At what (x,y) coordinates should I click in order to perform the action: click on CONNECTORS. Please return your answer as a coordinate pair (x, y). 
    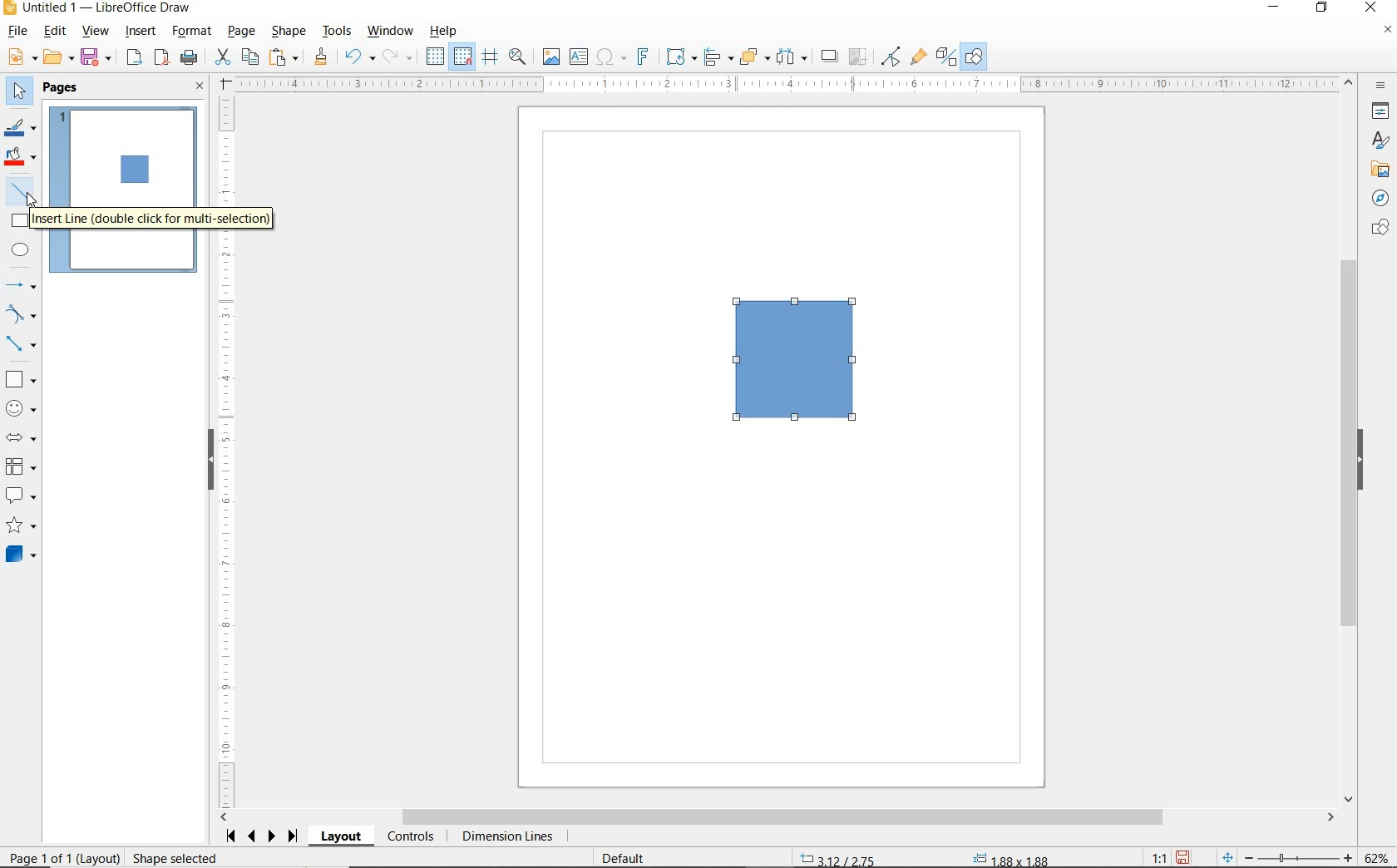
    Looking at the image, I should click on (21, 345).